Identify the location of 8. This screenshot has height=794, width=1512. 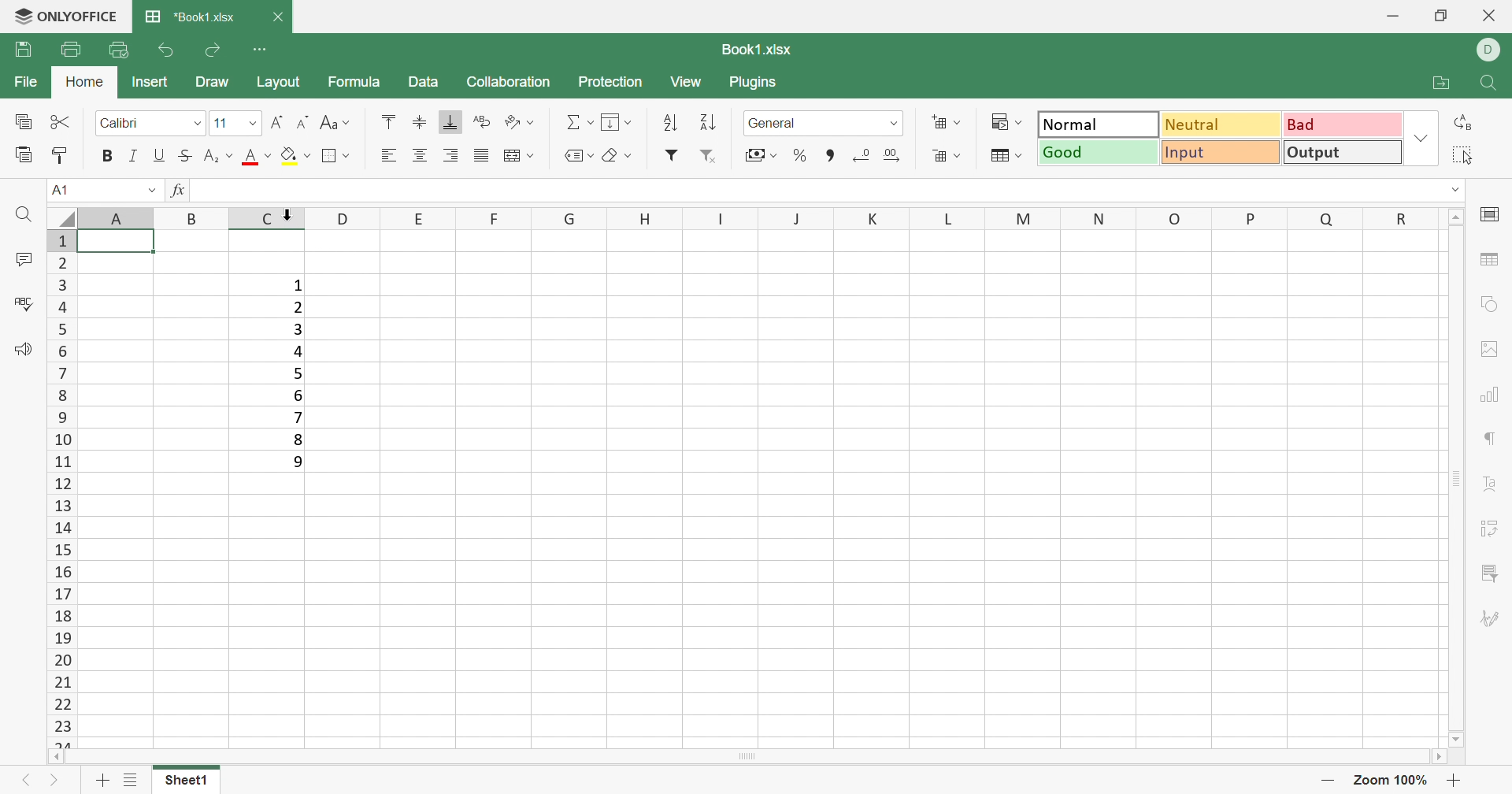
(297, 439).